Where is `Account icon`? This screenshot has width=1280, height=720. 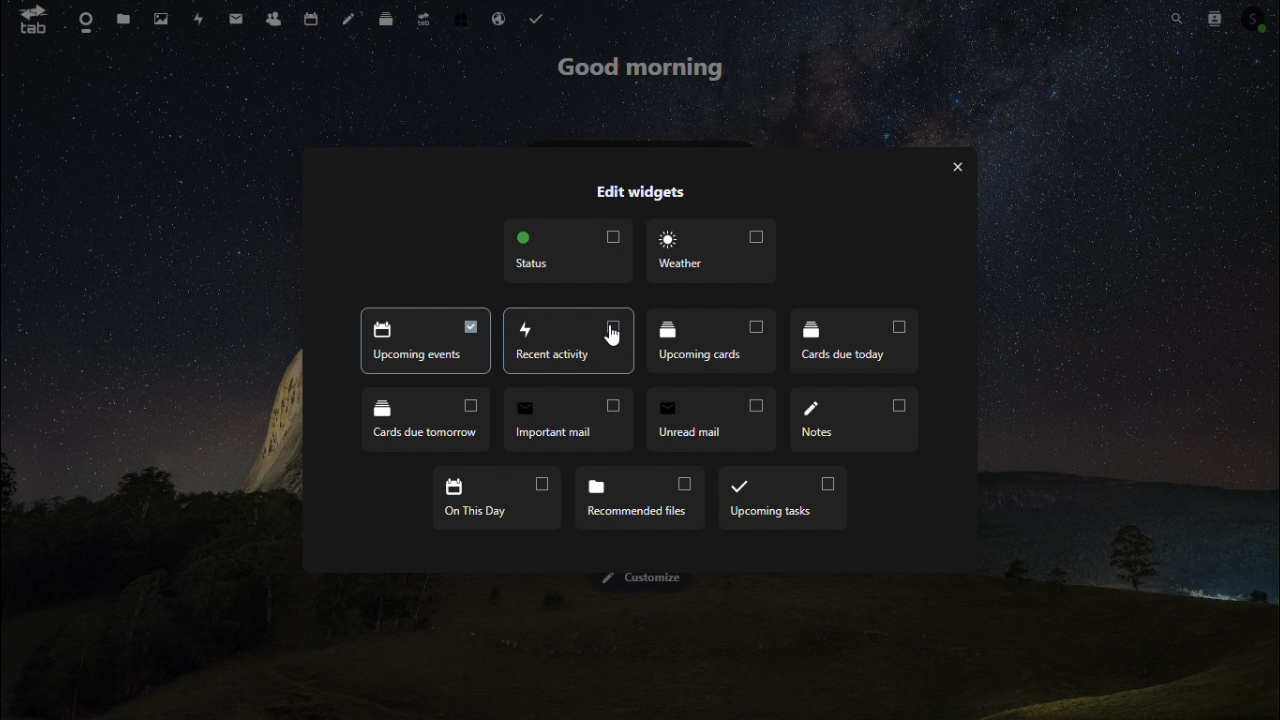
Account icon is located at coordinates (1255, 17).